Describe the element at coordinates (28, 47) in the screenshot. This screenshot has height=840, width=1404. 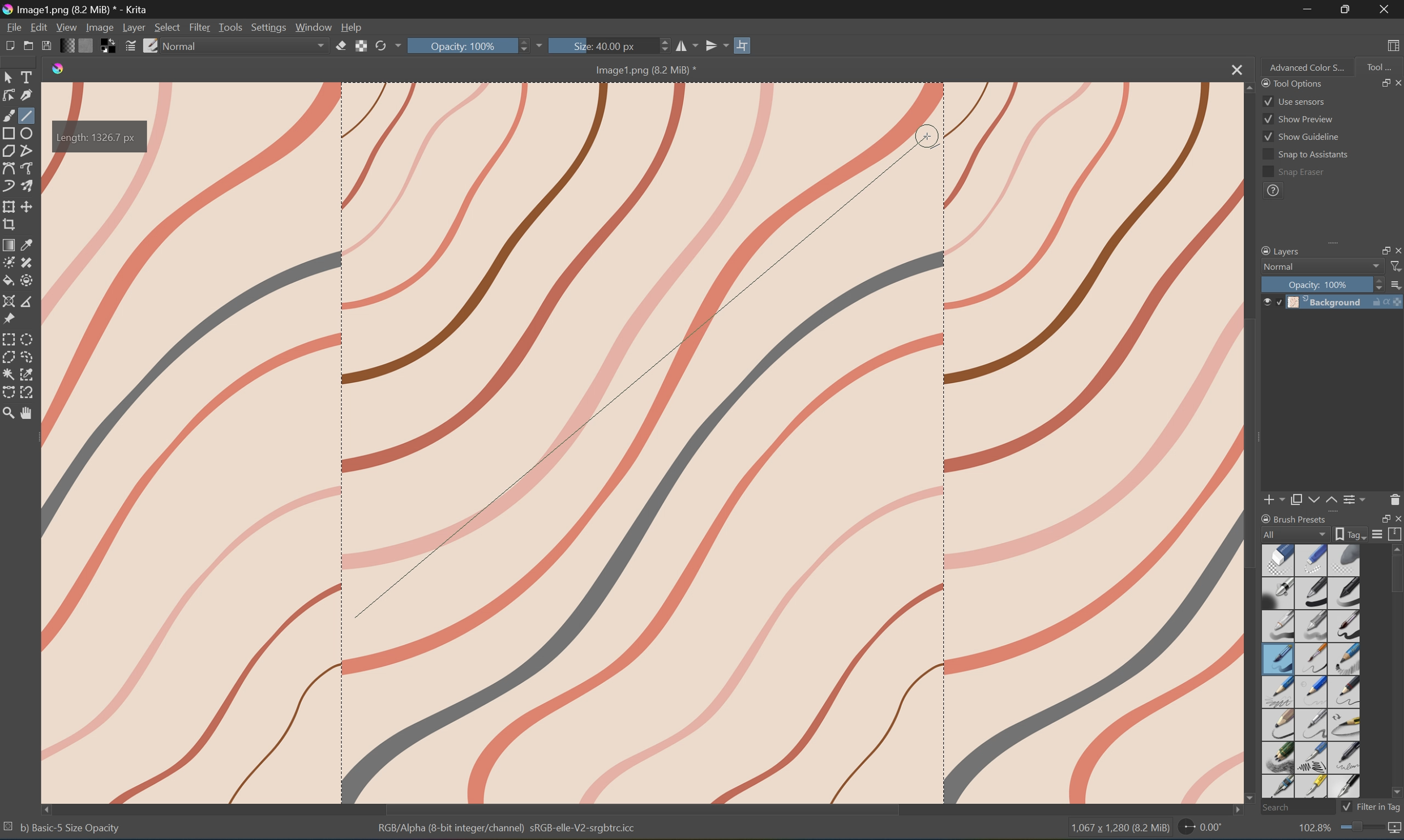
I see `Open existing document` at that location.